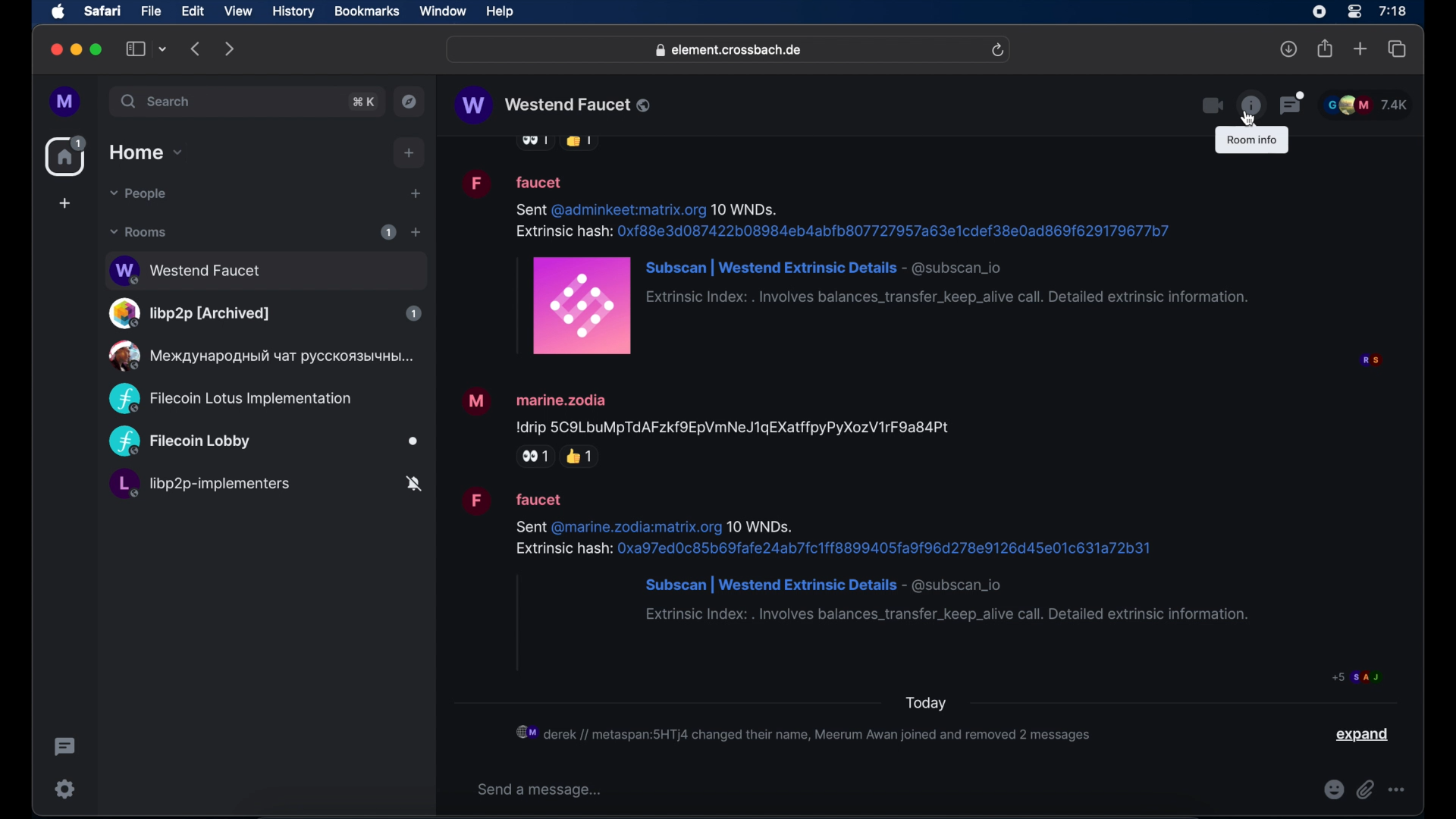  Describe the element at coordinates (925, 704) in the screenshot. I see `today` at that location.